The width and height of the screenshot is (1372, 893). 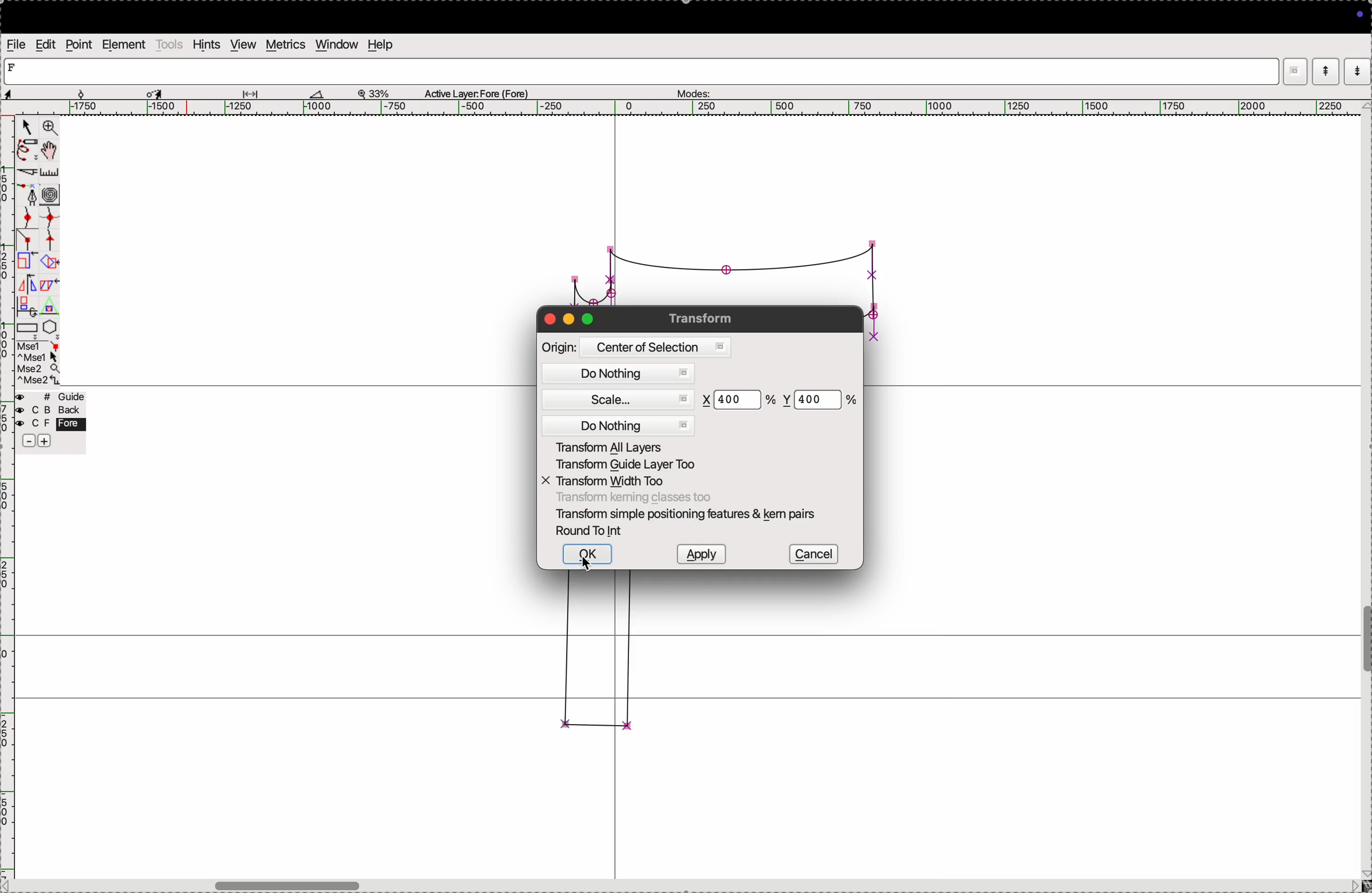 What do you see at coordinates (78, 46) in the screenshot?
I see `point` at bounding box center [78, 46].